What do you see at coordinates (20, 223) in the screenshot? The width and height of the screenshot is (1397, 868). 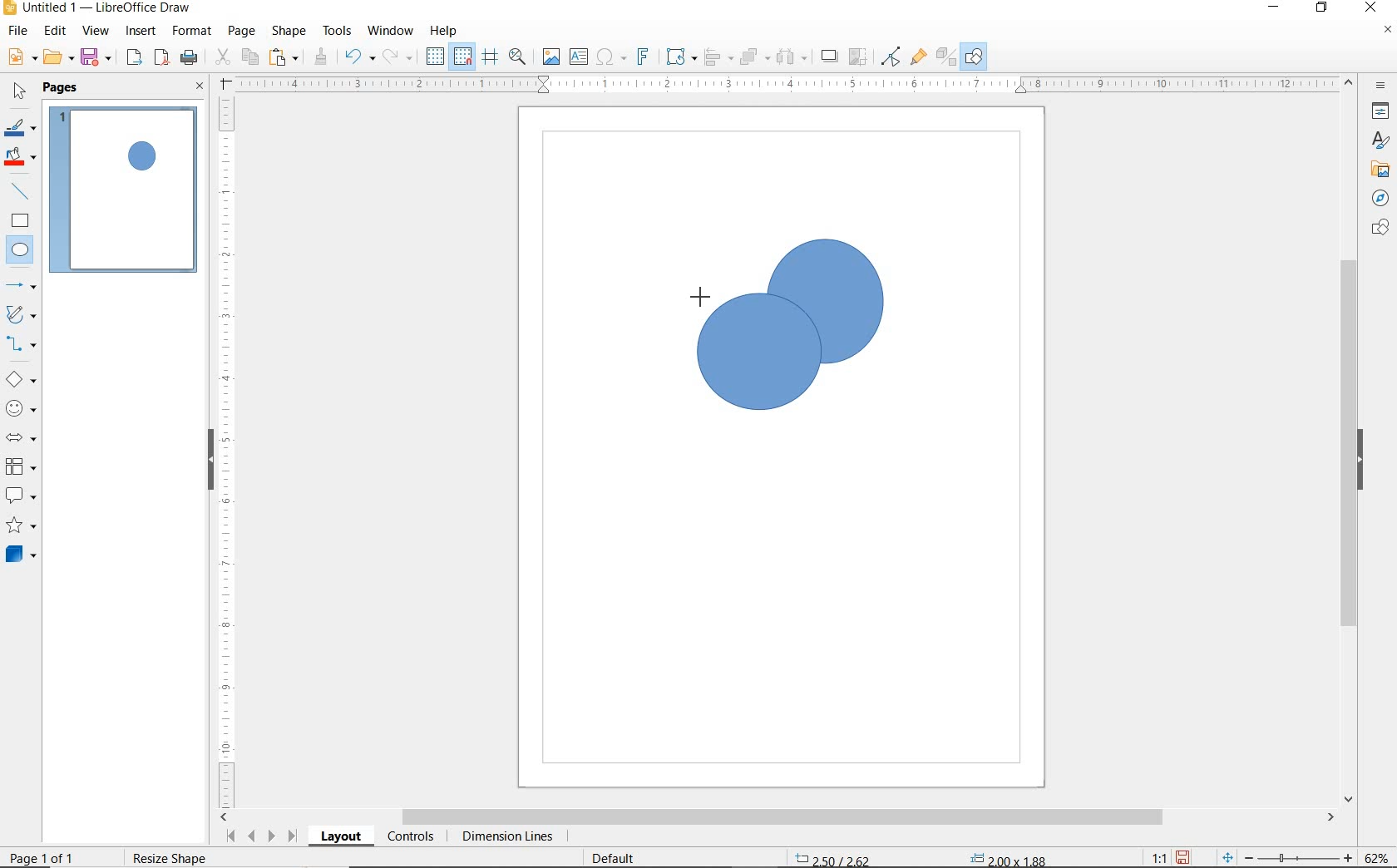 I see `RECTANGLE` at bounding box center [20, 223].